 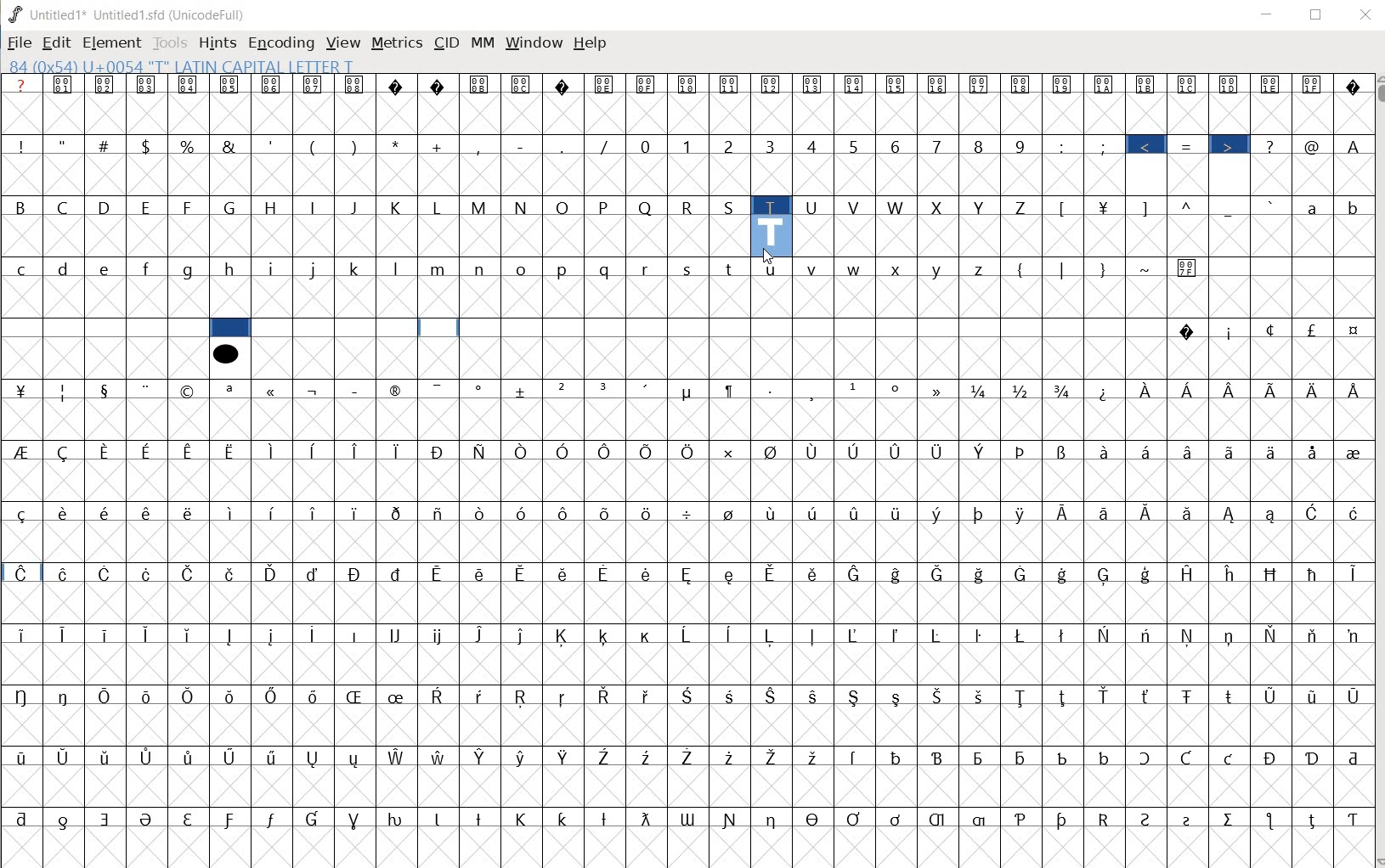 What do you see at coordinates (982, 206) in the screenshot?
I see `Y` at bounding box center [982, 206].